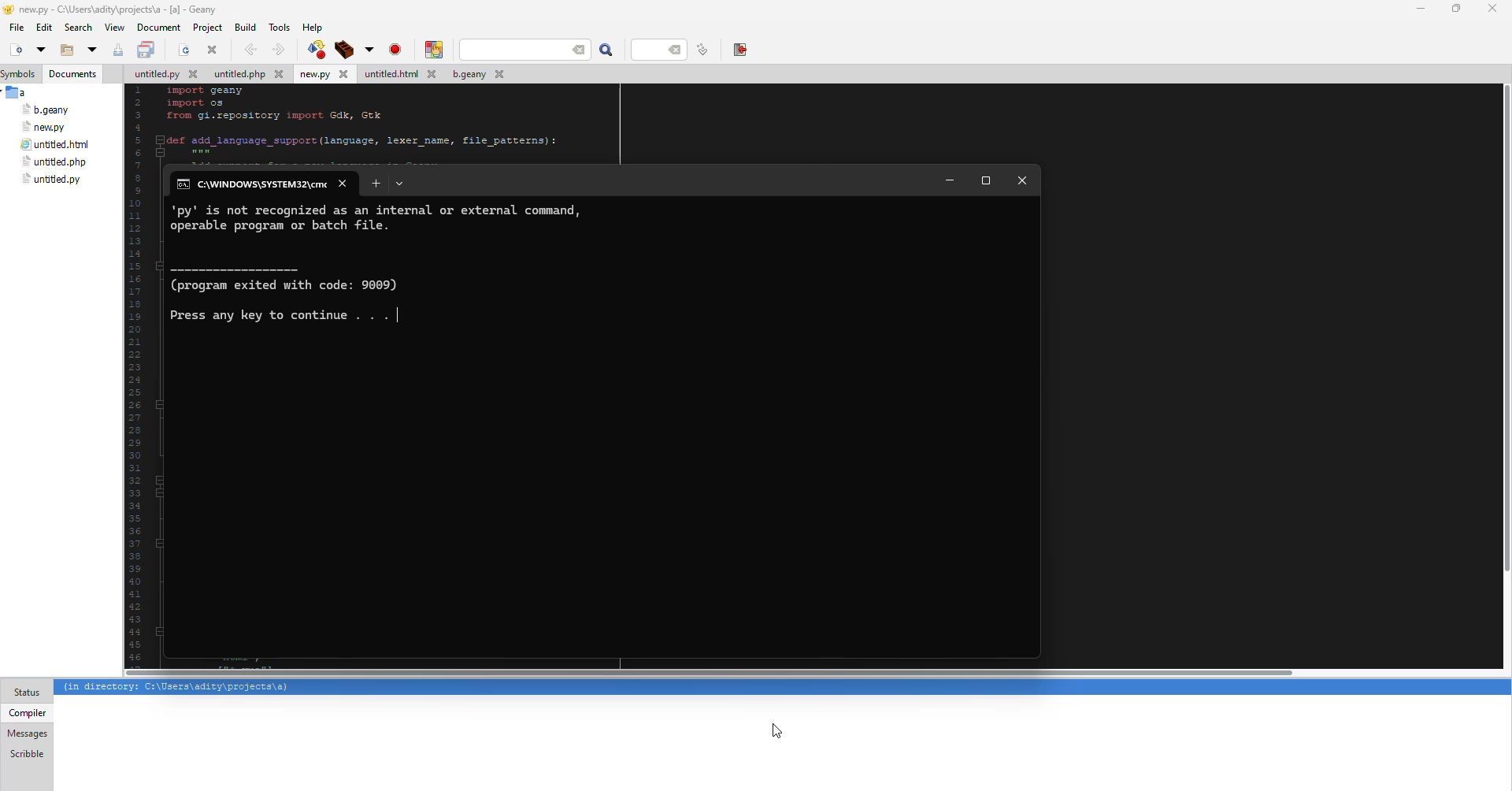 The image size is (1512, 791). What do you see at coordinates (43, 28) in the screenshot?
I see `edit` at bounding box center [43, 28].